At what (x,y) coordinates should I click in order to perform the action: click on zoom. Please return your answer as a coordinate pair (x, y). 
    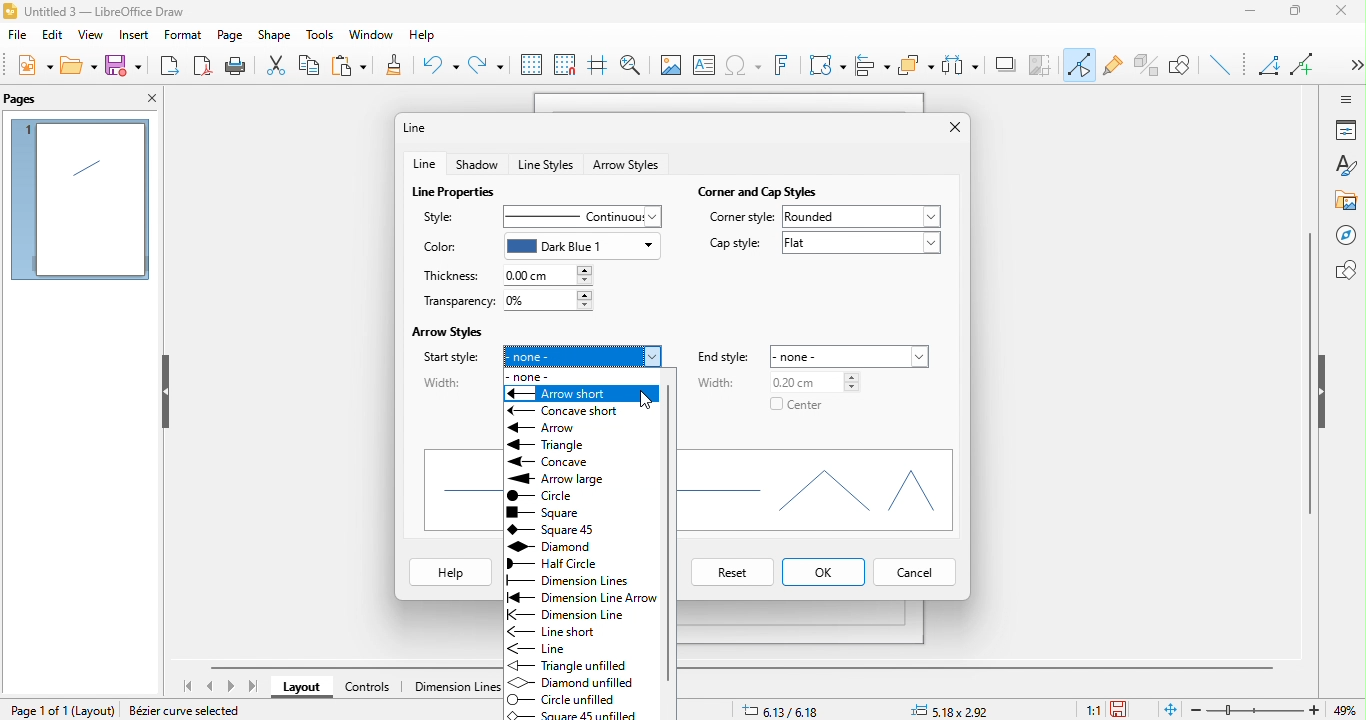
    Looking at the image, I should click on (1278, 710).